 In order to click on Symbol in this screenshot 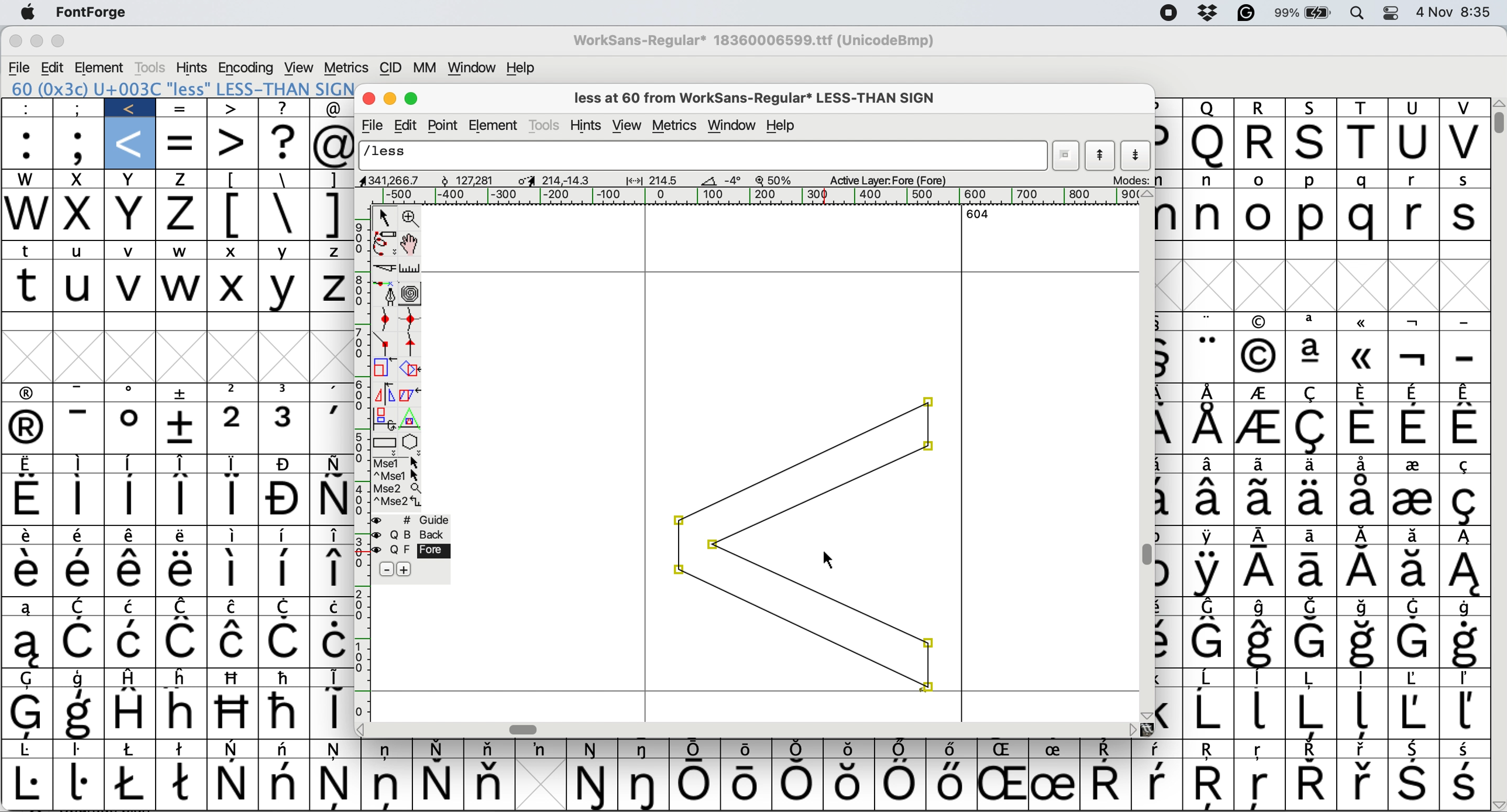, I will do `click(183, 643)`.